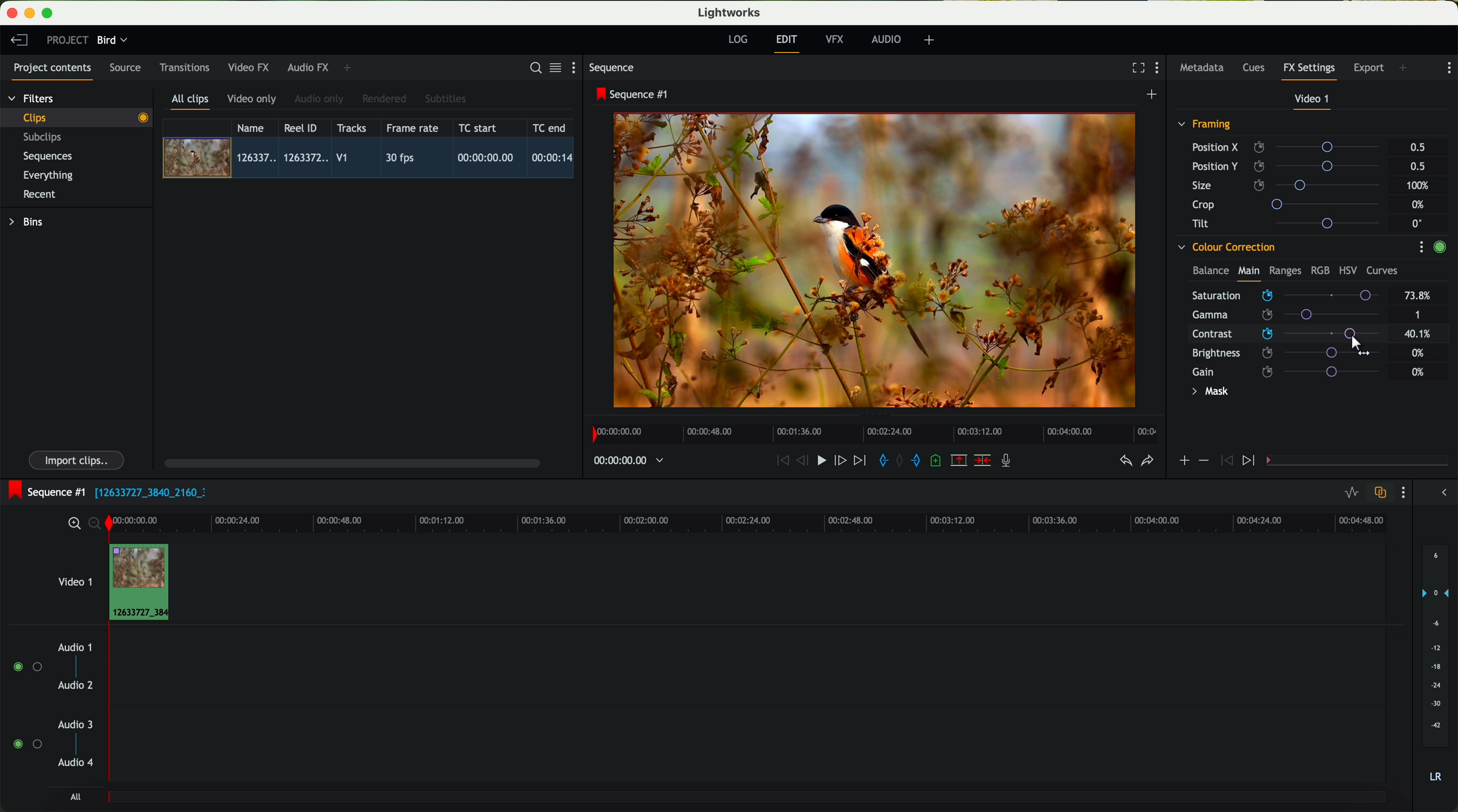 The height and width of the screenshot is (812, 1458). Describe the element at coordinates (1160, 69) in the screenshot. I see `show settings menu` at that location.